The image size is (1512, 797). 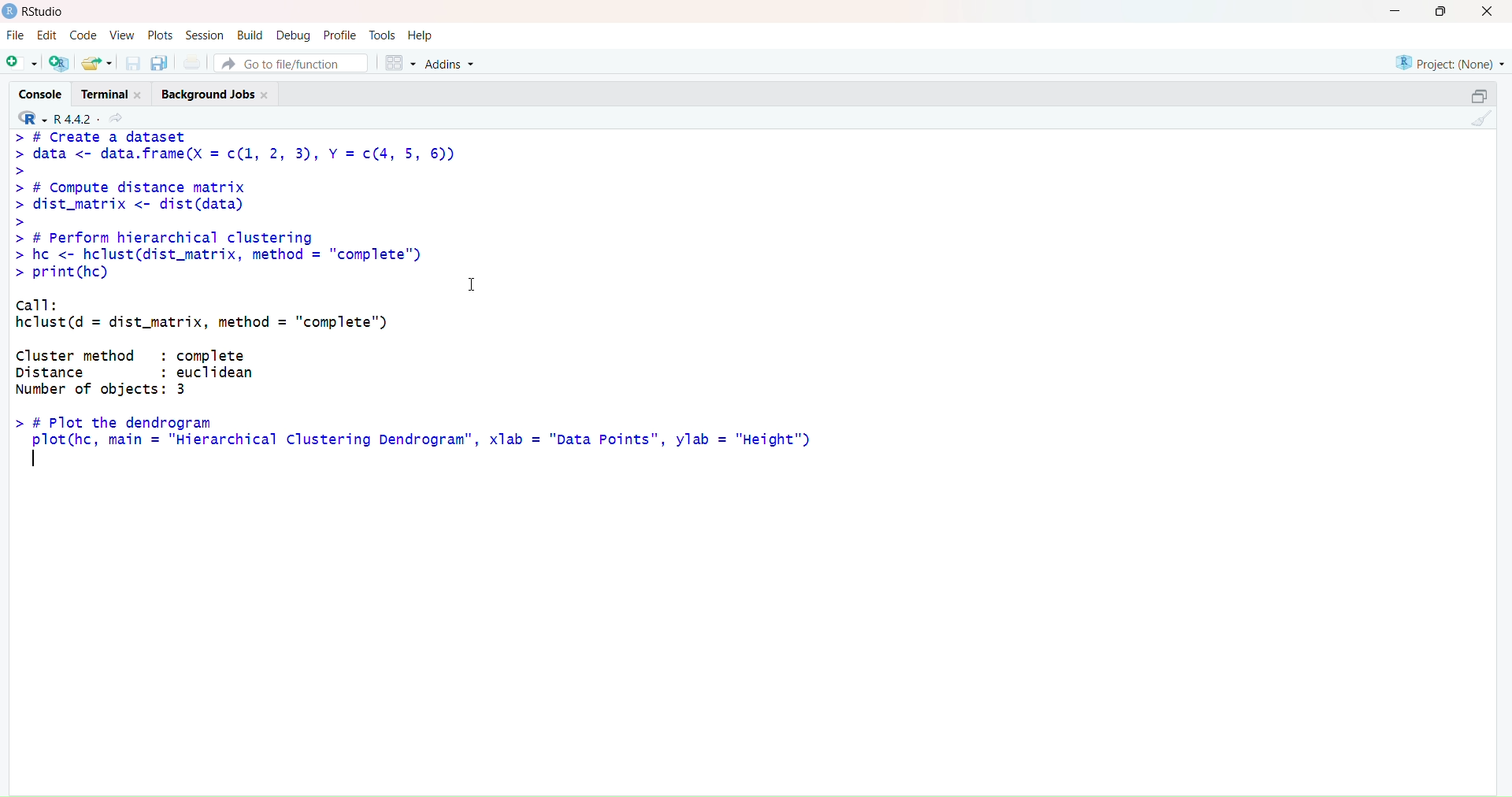 I want to click on New File, so click(x=21, y=61).